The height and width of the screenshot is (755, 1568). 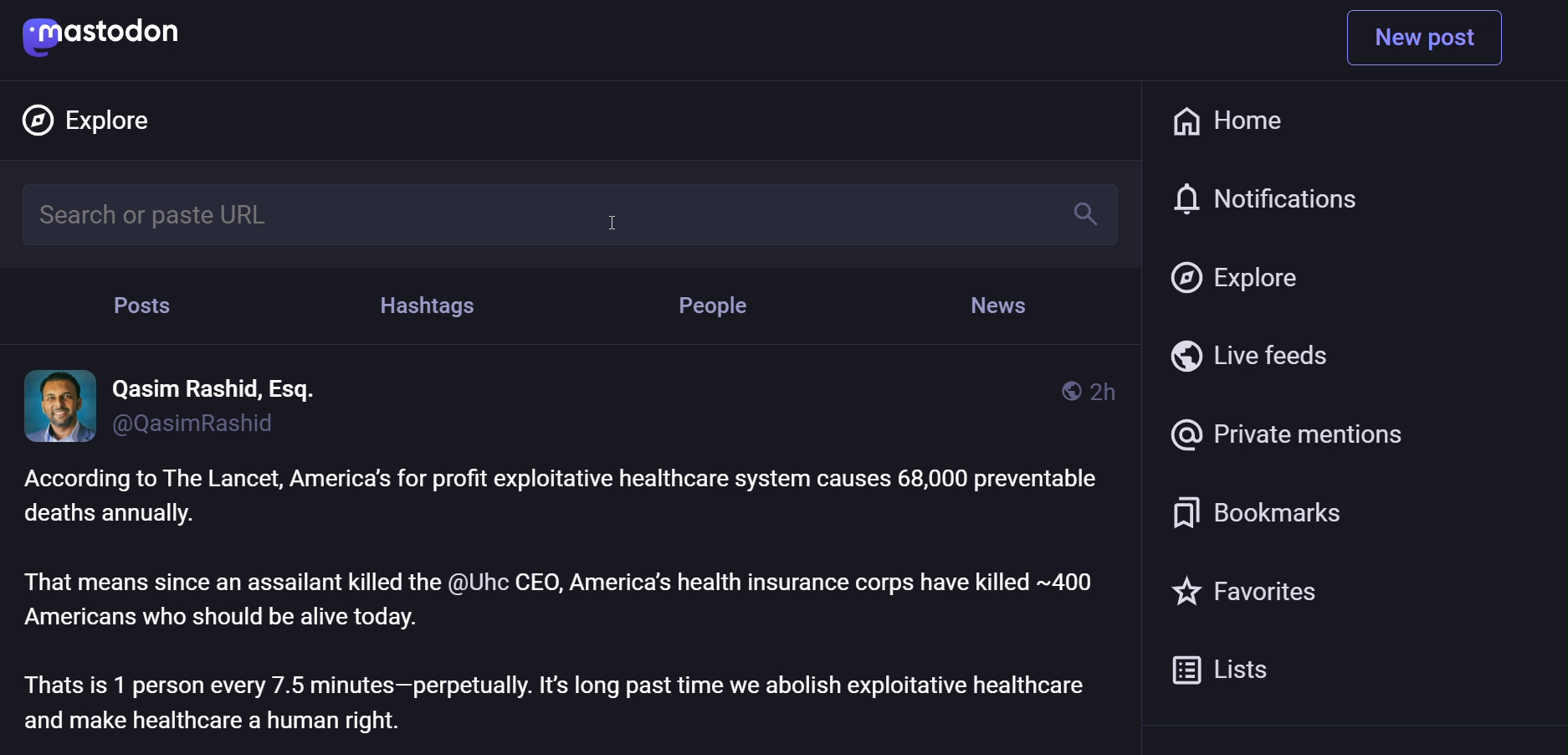 I want to click on mastodon, so click(x=110, y=33).